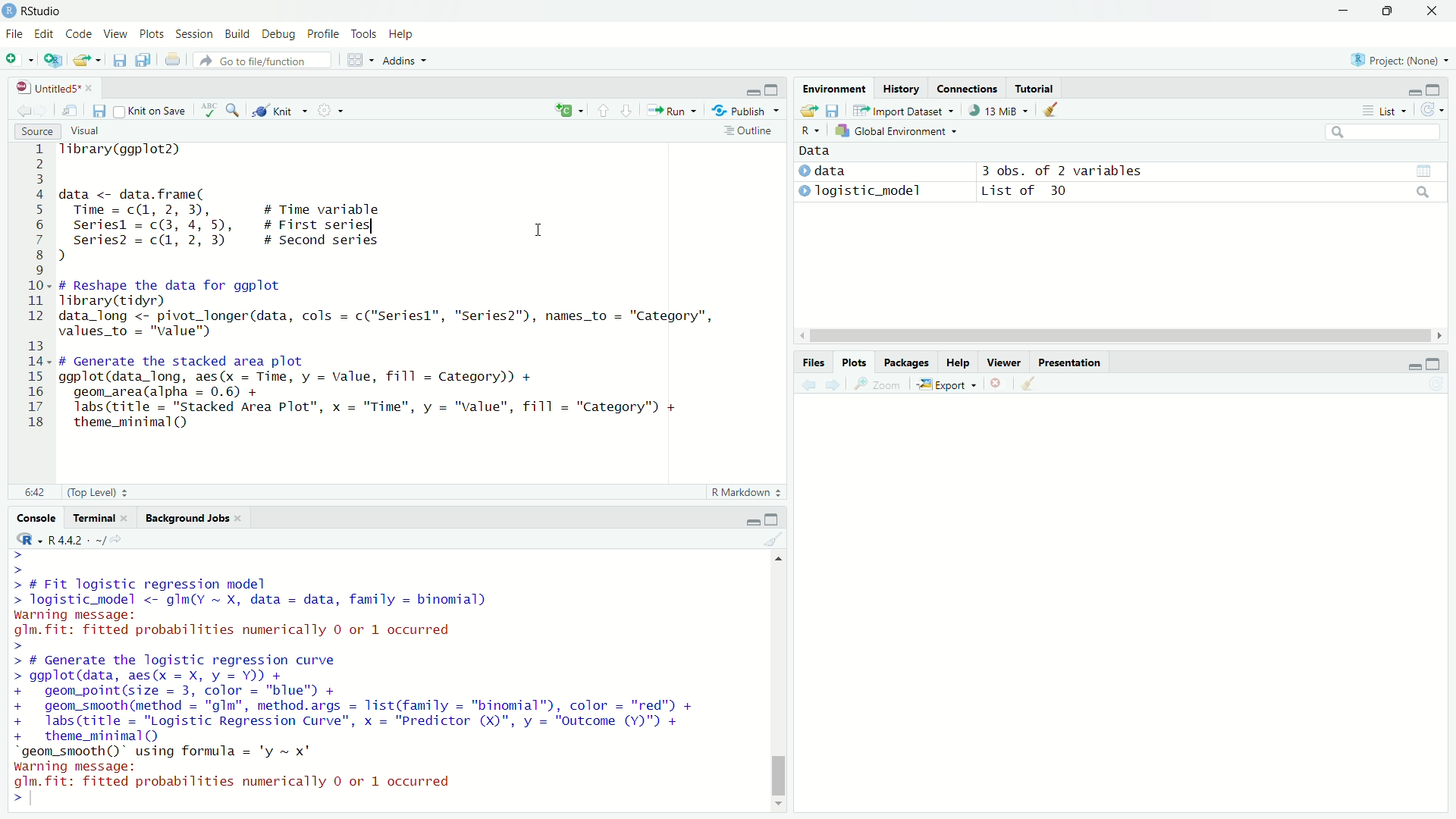 This screenshot has height=819, width=1456. I want to click on save, so click(808, 111).